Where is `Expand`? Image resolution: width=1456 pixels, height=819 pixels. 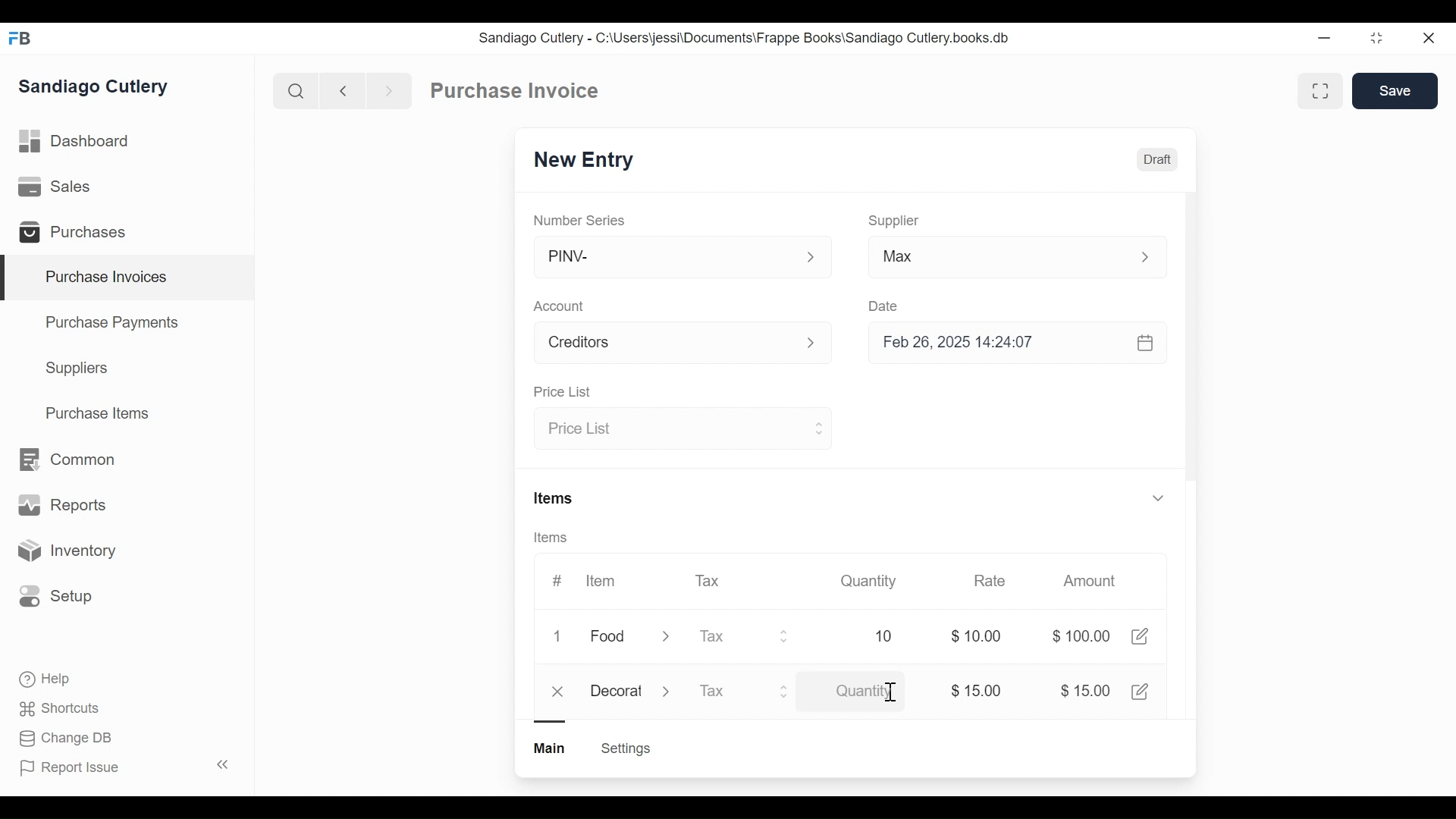
Expand is located at coordinates (817, 427).